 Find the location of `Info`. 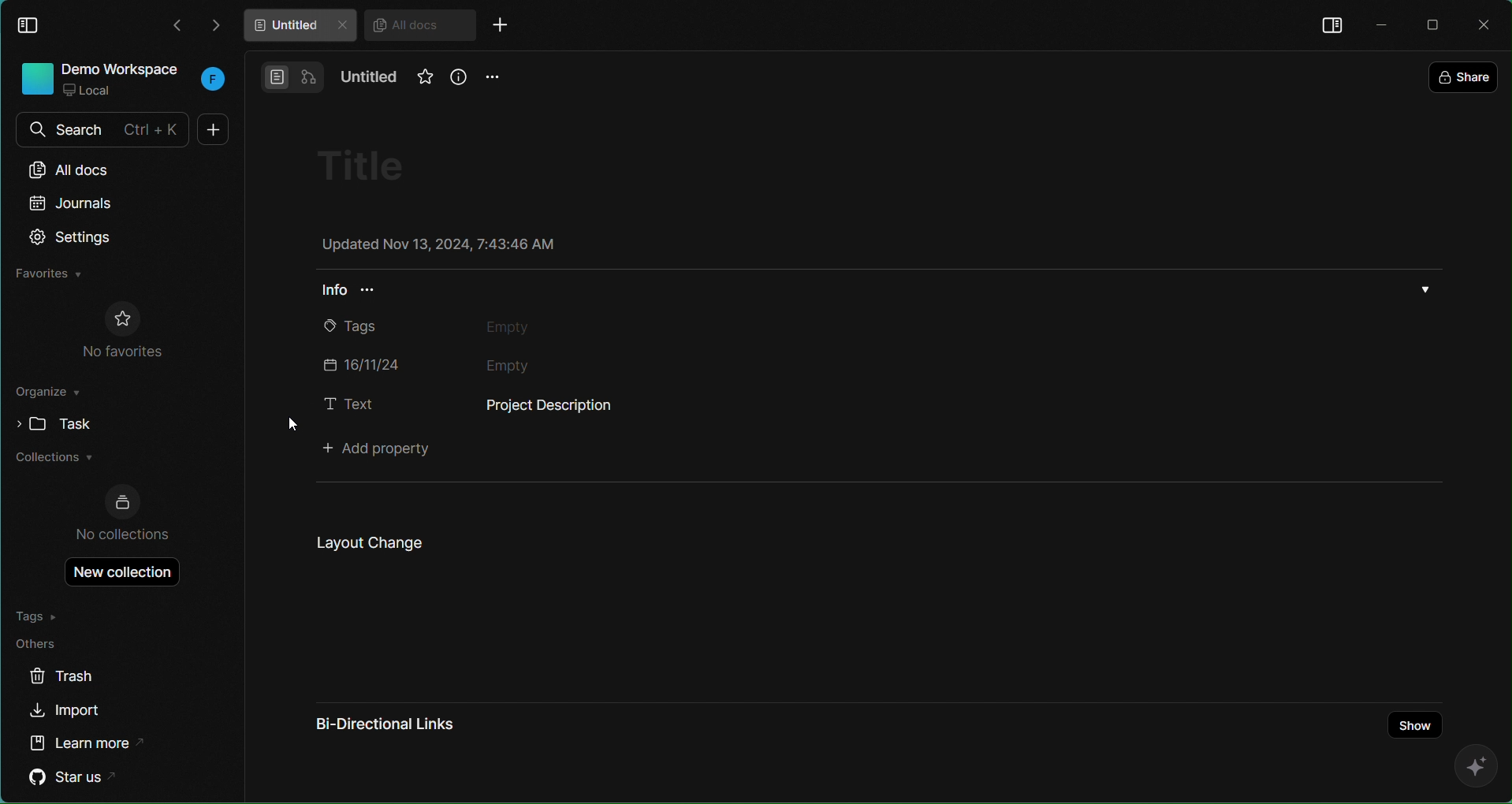

Info is located at coordinates (359, 293).